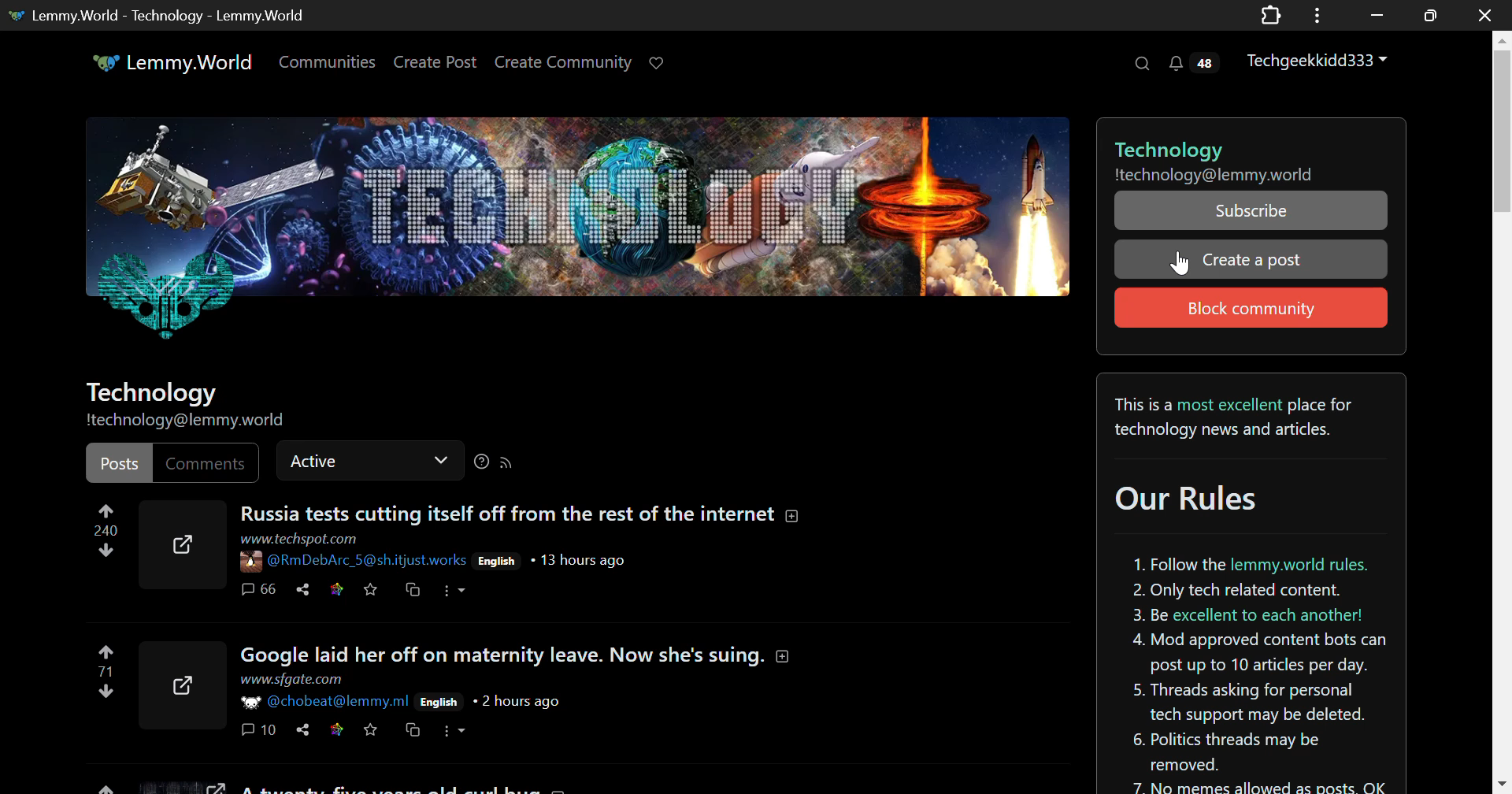  What do you see at coordinates (517, 702) in the screenshot?
I see `2 hours ago` at bounding box center [517, 702].